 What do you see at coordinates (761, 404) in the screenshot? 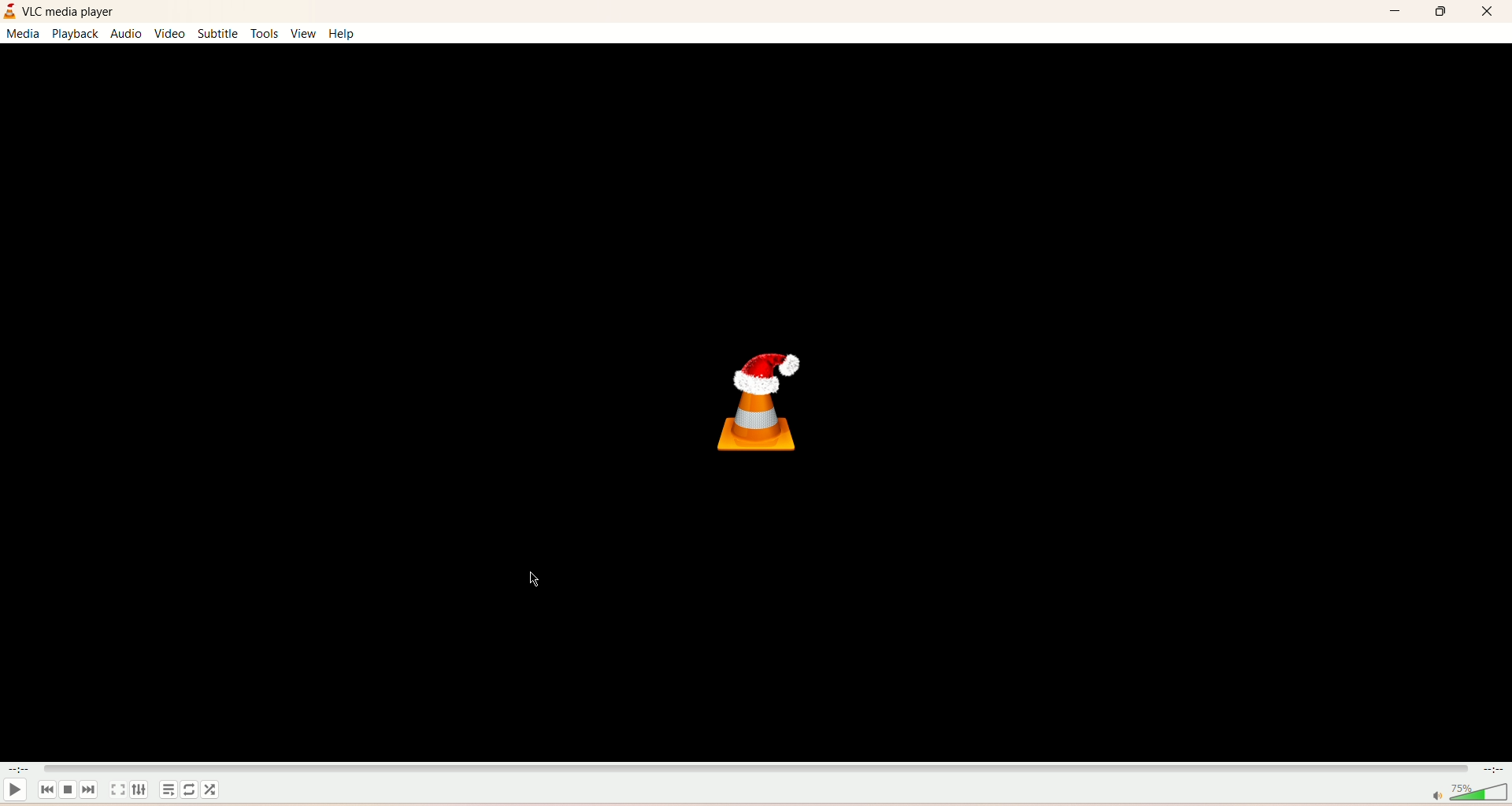
I see `vlc logo` at bounding box center [761, 404].